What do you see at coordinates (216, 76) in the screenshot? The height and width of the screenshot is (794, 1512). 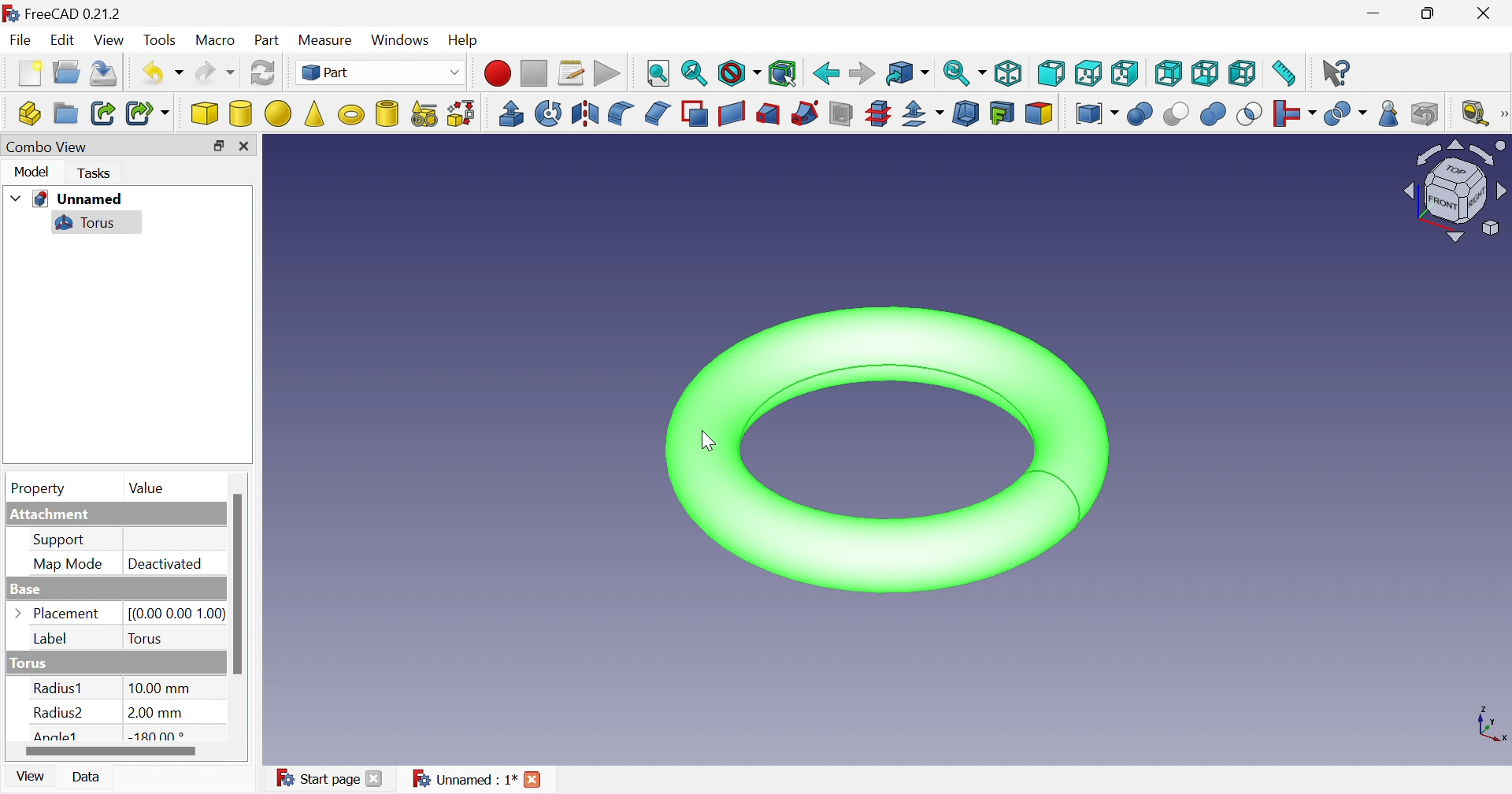 I see `Redo` at bounding box center [216, 76].